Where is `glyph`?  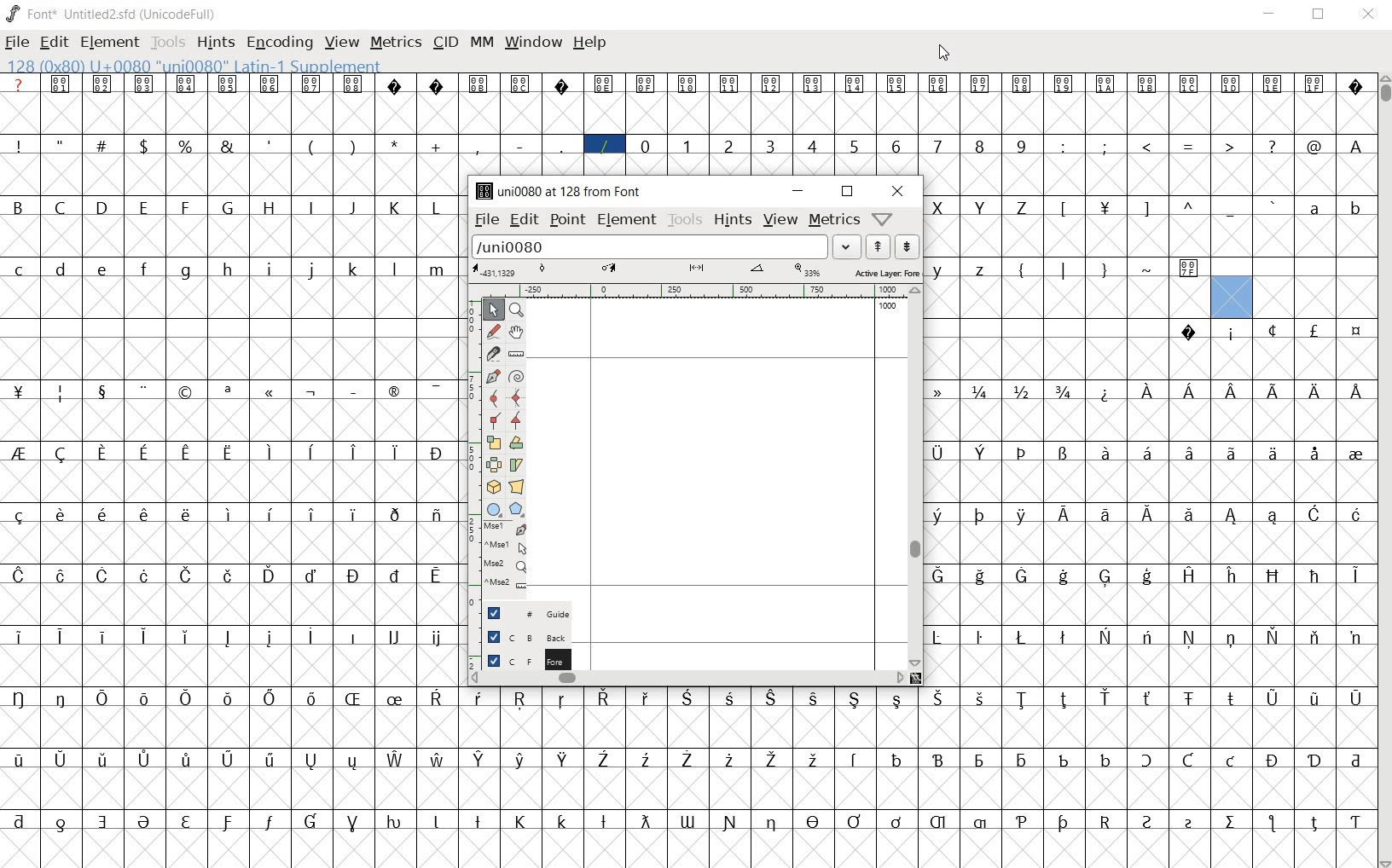
glyph is located at coordinates (564, 759).